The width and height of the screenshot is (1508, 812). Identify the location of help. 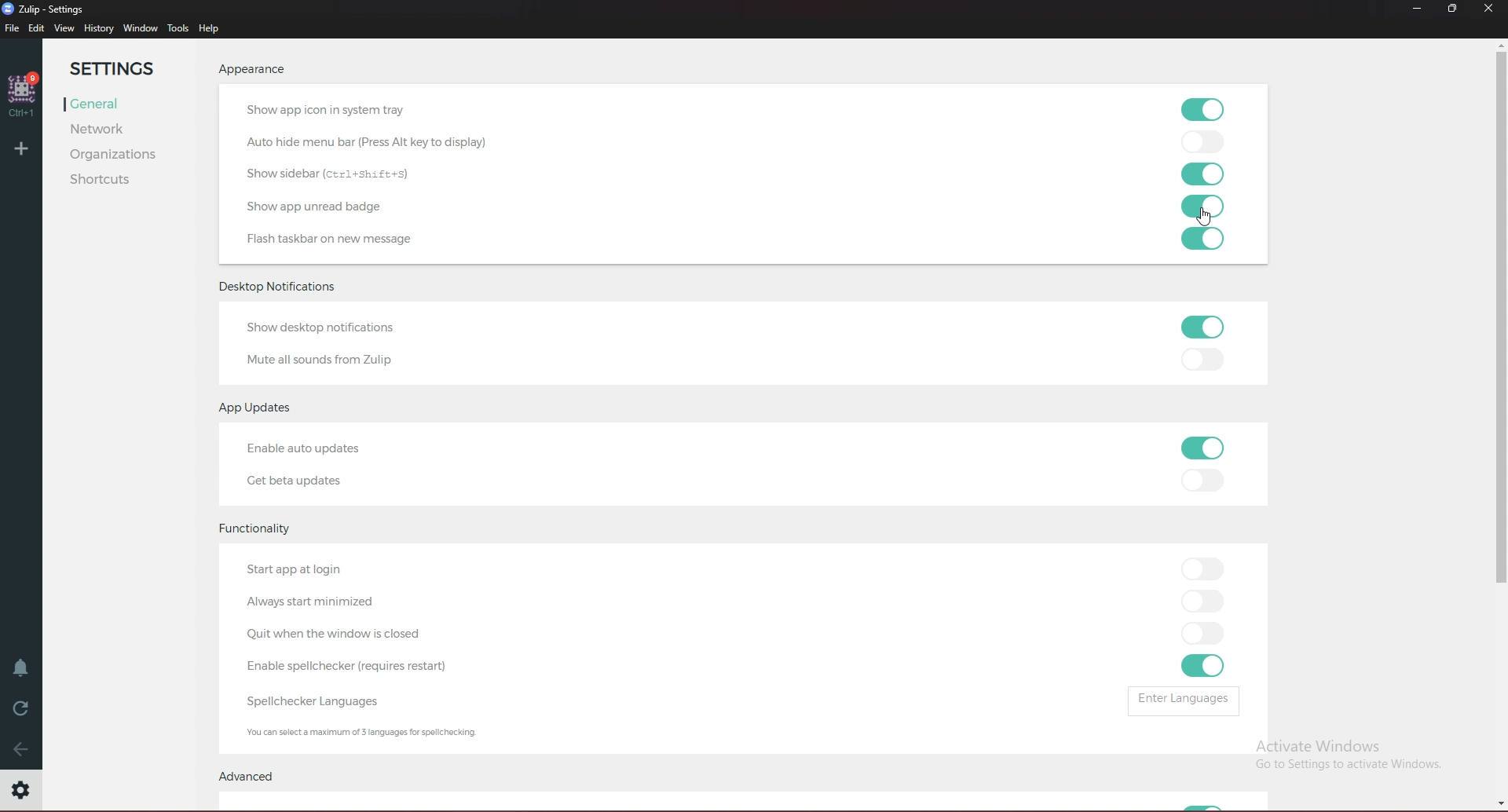
(213, 28).